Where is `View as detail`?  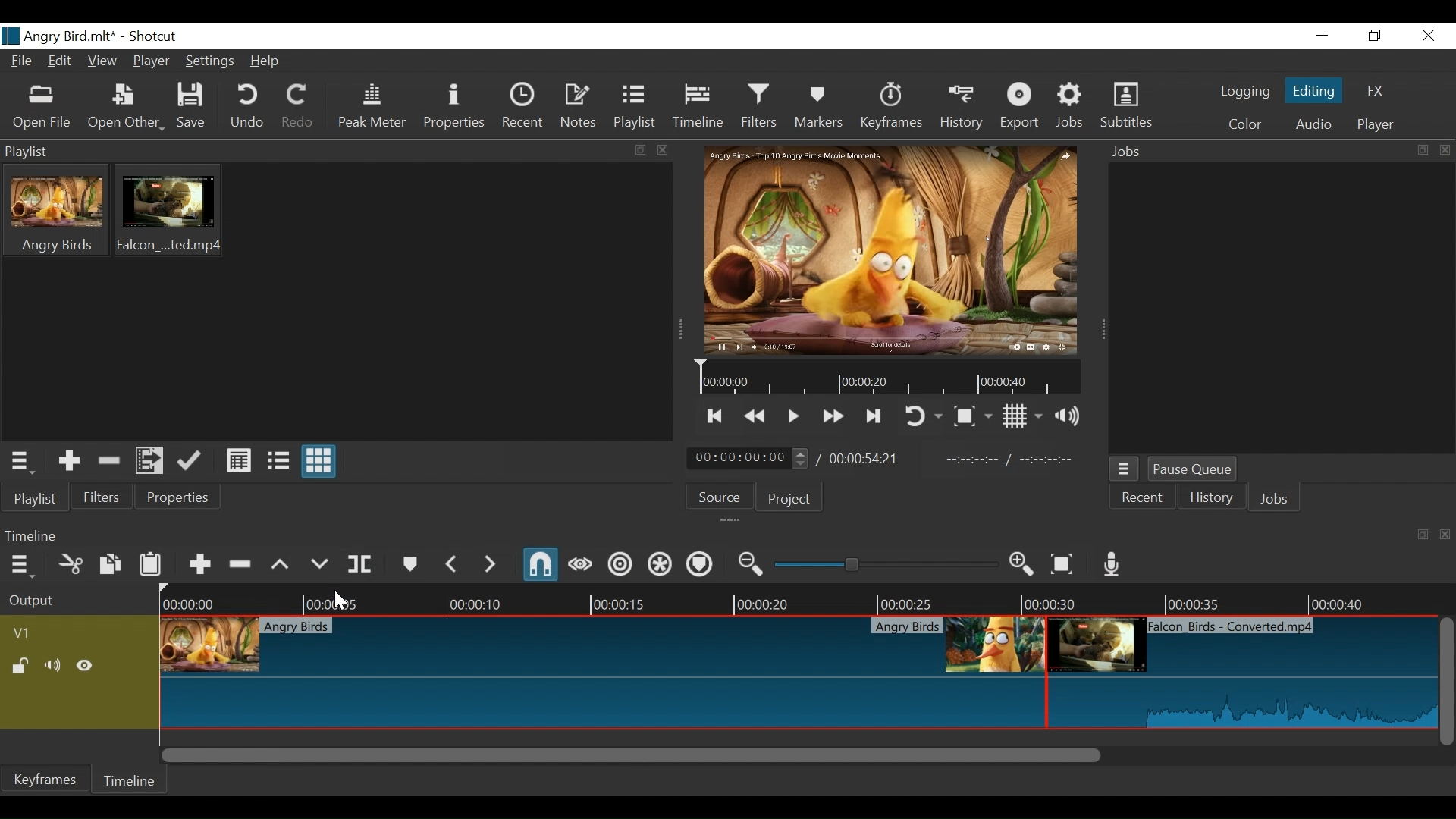
View as detail is located at coordinates (238, 460).